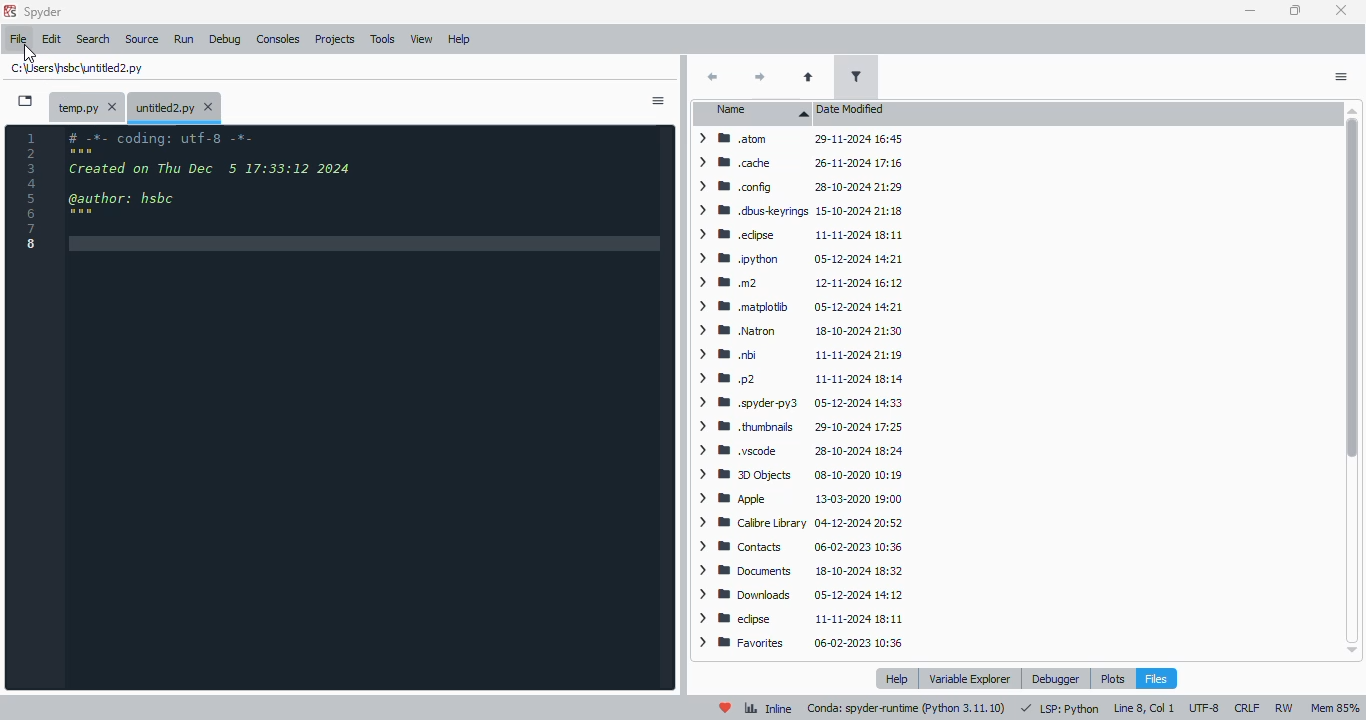 This screenshot has height=720, width=1366. What do you see at coordinates (796, 376) in the screenshot?
I see `ym p2 11-11-2024 18:14` at bounding box center [796, 376].